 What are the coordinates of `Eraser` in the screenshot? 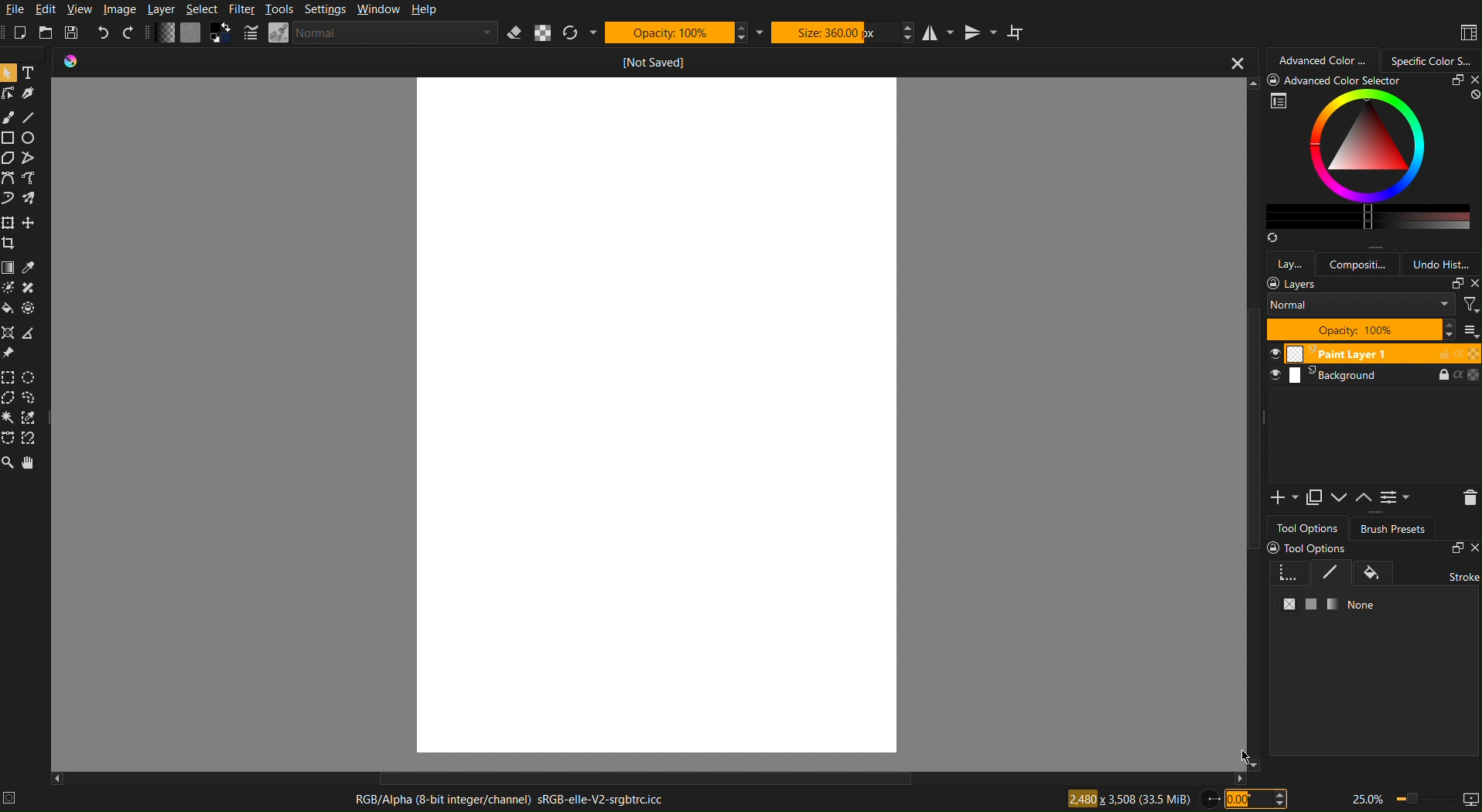 It's located at (516, 32).